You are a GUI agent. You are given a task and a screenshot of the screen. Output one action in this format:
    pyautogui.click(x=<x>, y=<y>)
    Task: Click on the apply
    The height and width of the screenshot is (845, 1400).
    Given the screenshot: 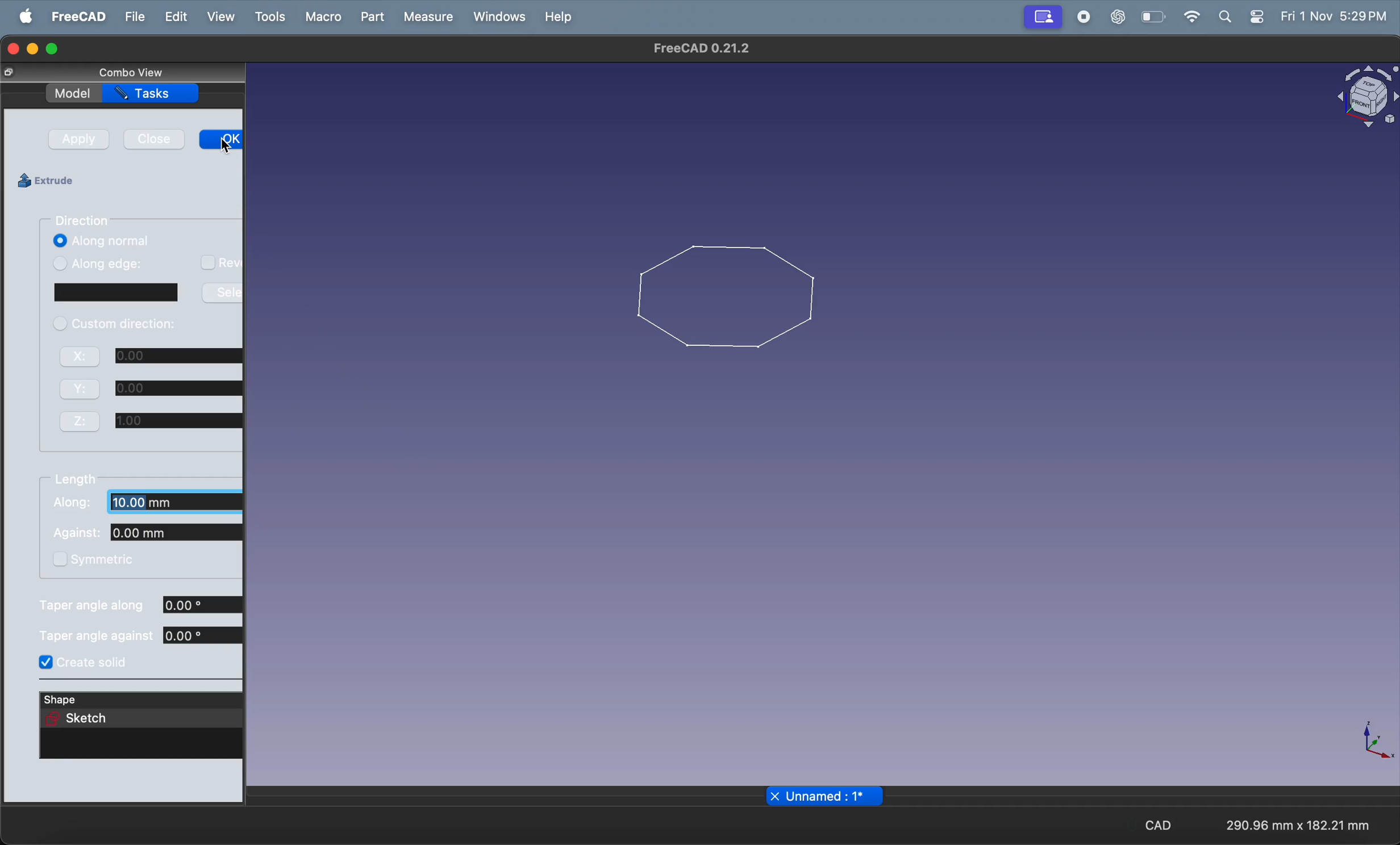 What is the action you would take?
    pyautogui.click(x=82, y=140)
    